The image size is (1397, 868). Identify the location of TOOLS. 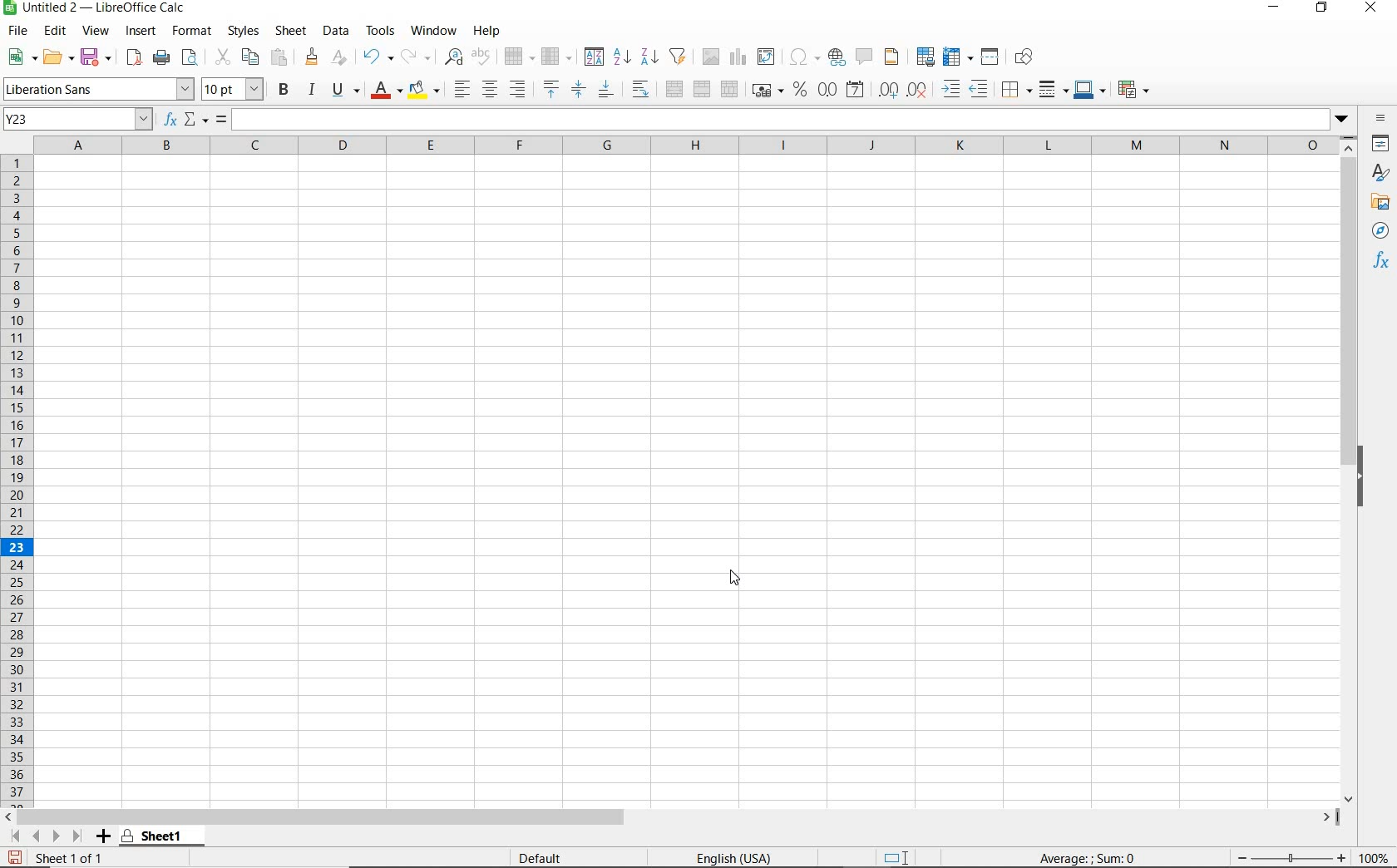
(379, 31).